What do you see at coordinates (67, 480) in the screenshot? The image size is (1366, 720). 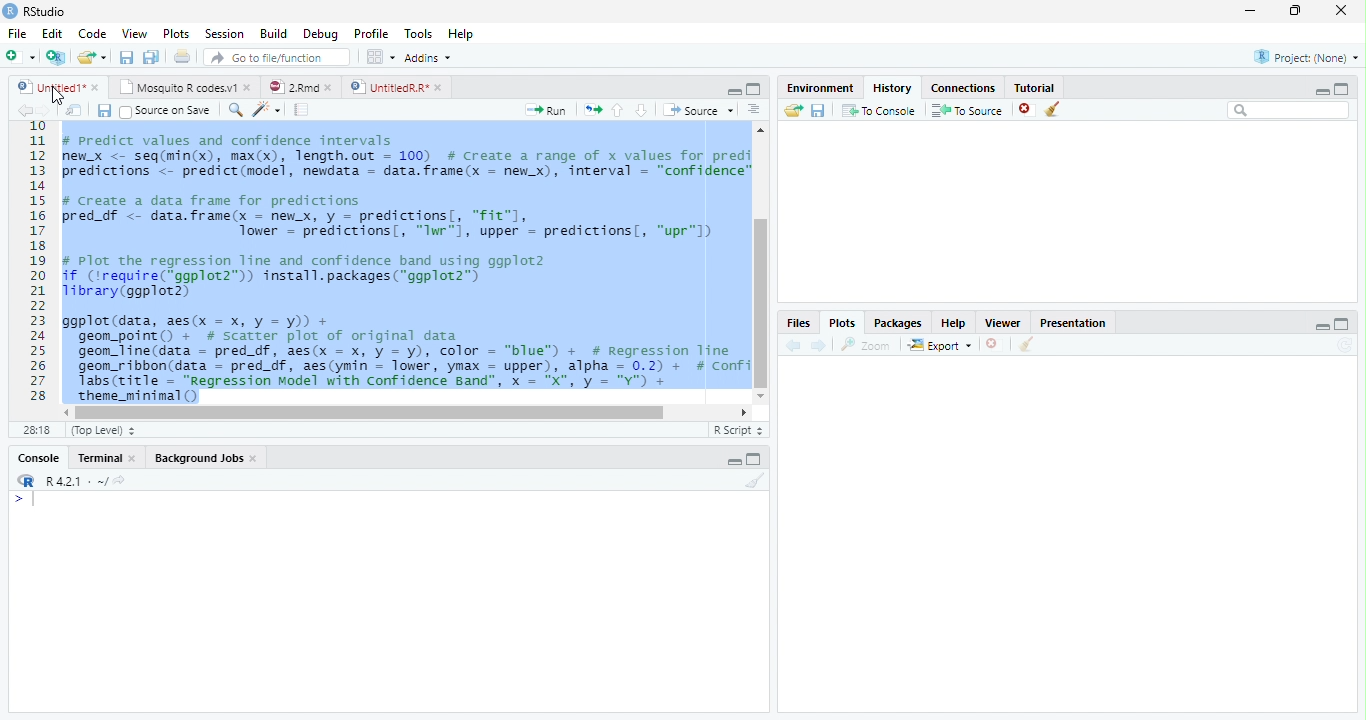 I see `R 4.2.1` at bounding box center [67, 480].